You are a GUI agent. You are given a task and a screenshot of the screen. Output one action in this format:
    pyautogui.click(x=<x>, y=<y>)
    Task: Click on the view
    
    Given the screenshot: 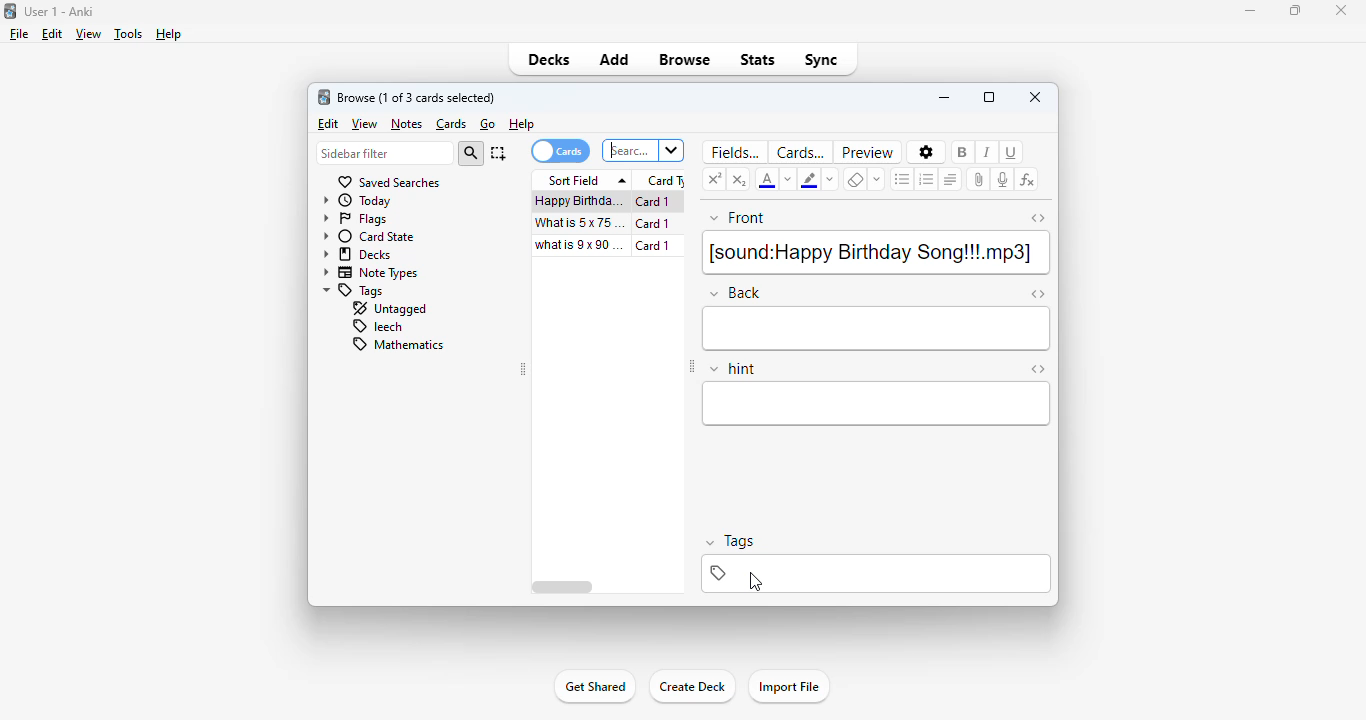 What is the action you would take?
    pyautogui.click(x=365, y=124)
    